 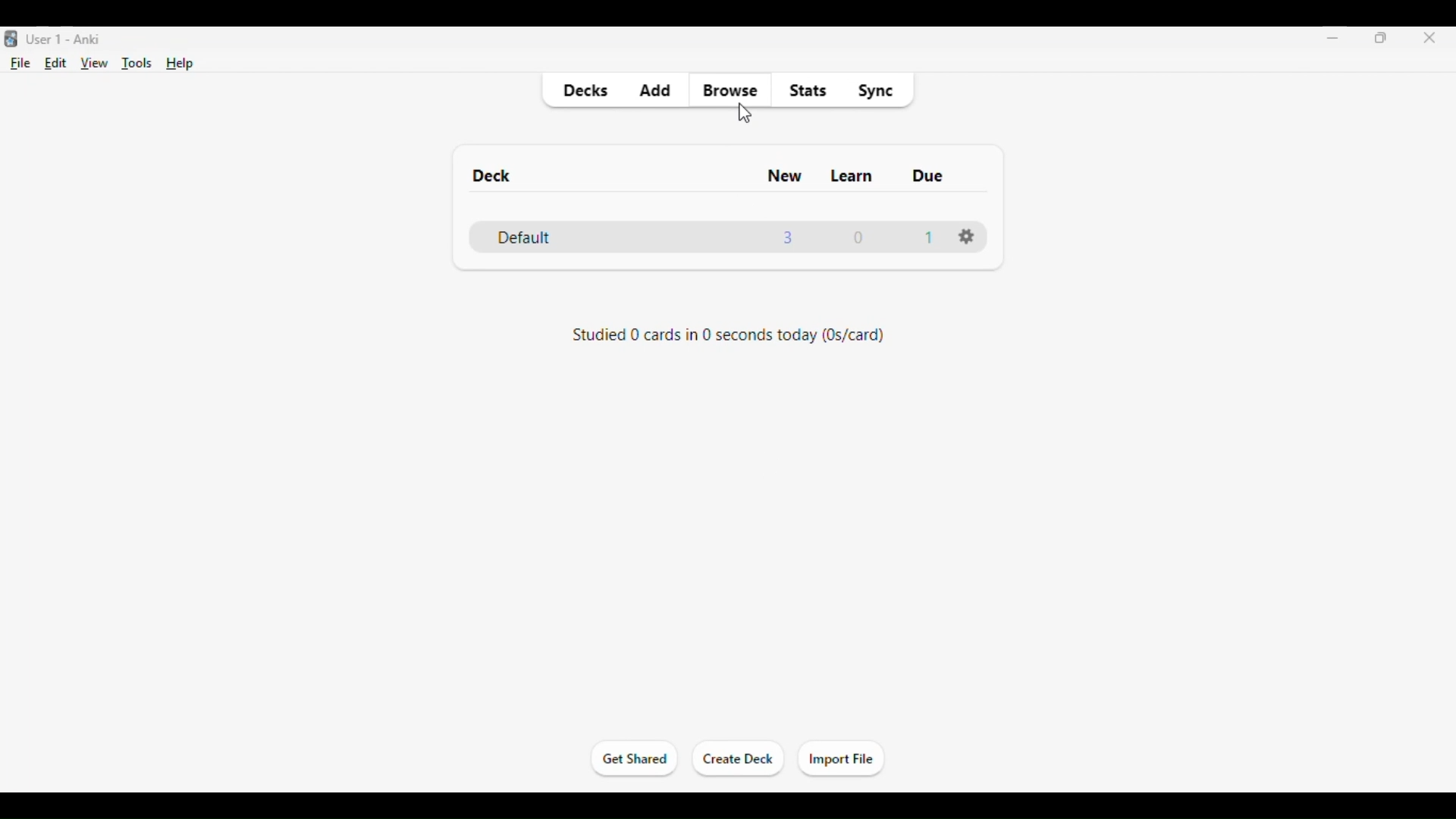 I want to click on 1, so click(x=930, y=237).